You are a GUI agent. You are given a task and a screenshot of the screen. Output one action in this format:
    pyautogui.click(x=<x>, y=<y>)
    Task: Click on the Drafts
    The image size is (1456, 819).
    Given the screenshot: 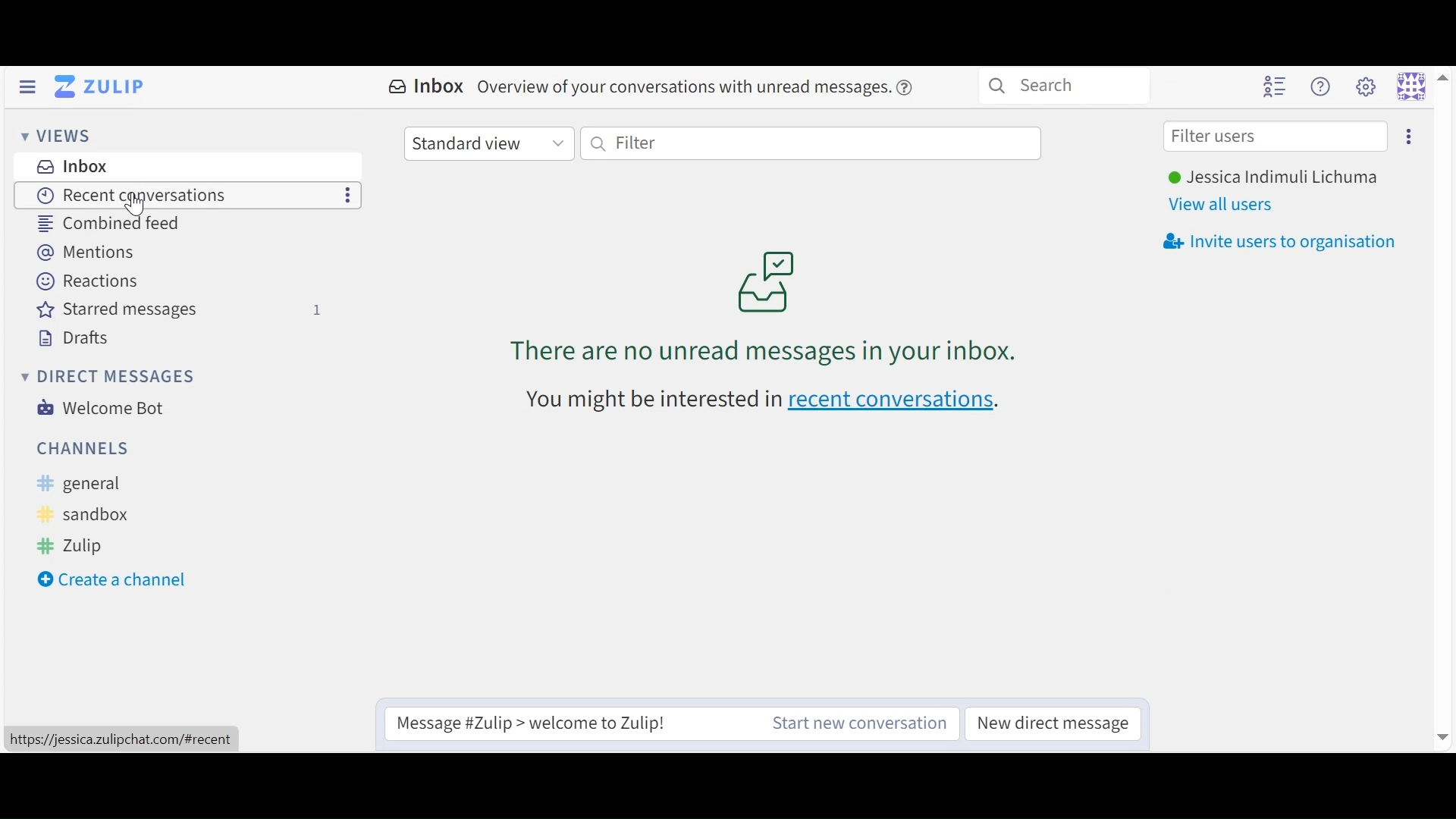 What is the action you would take?
    pyautogui.click(x=67, y=336)
    